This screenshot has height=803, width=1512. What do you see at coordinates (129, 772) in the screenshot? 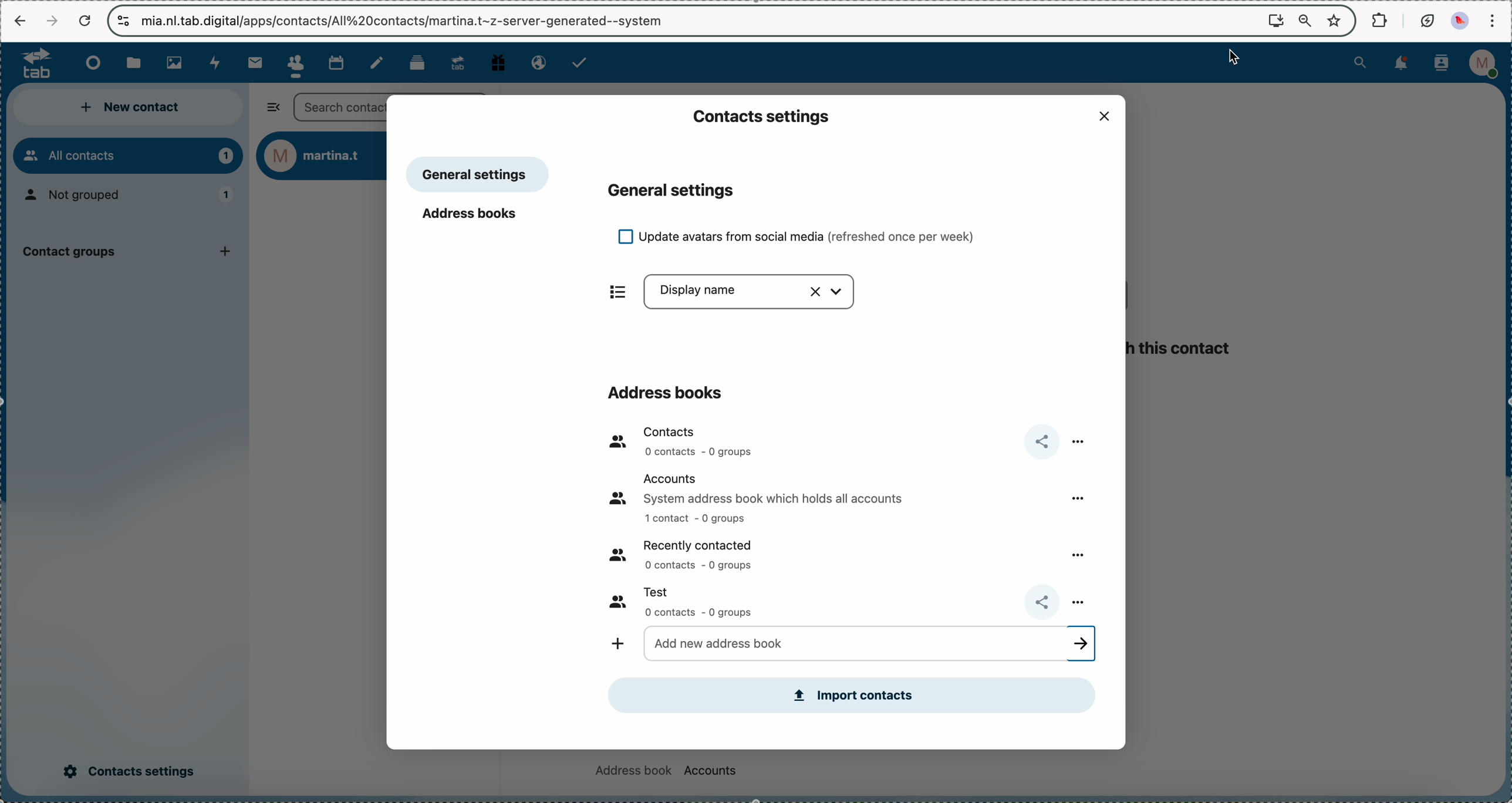
I see `click on contacts settings` at bounding box center [129, 772].